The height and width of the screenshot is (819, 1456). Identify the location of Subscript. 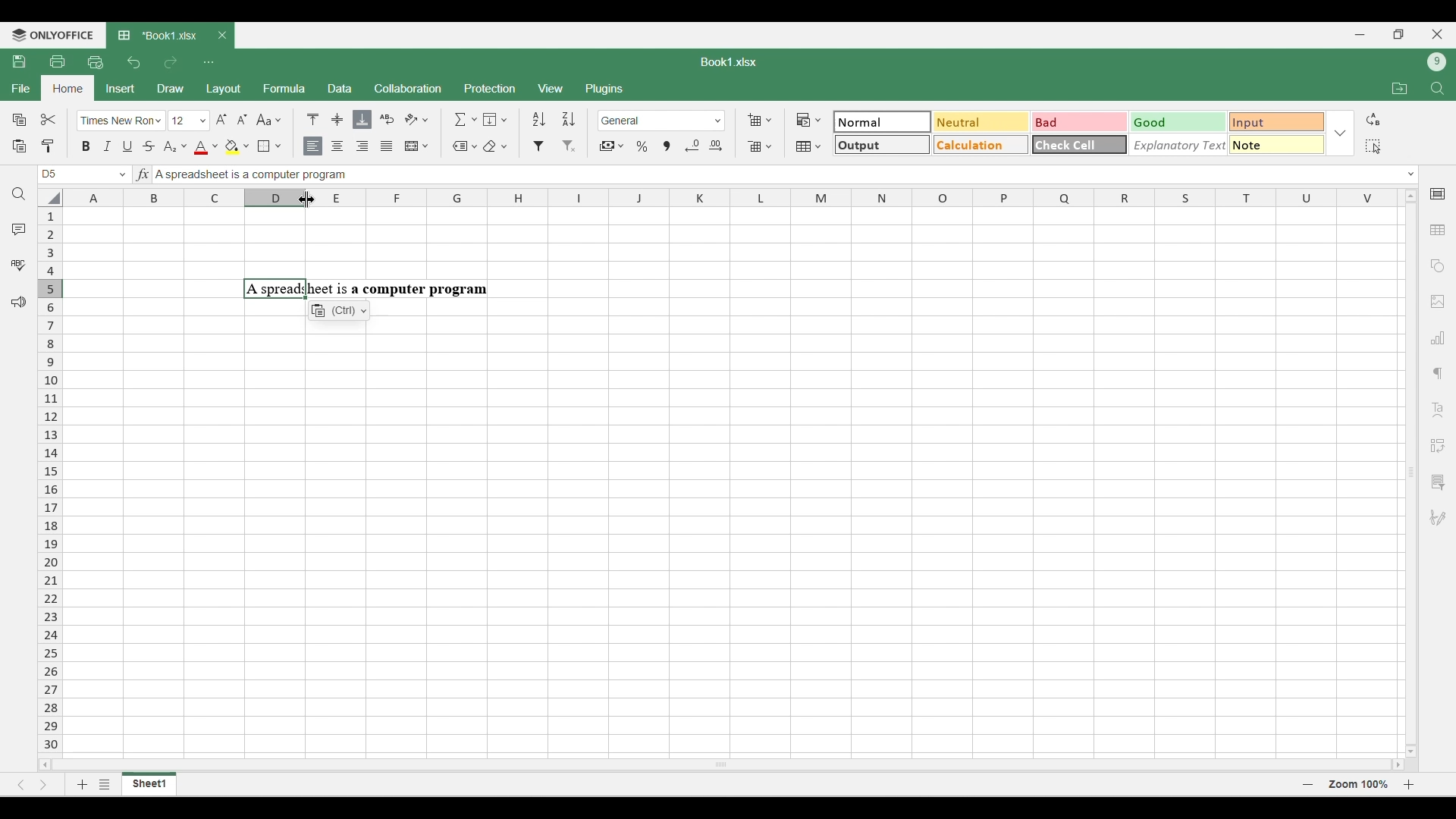
(174, 147).